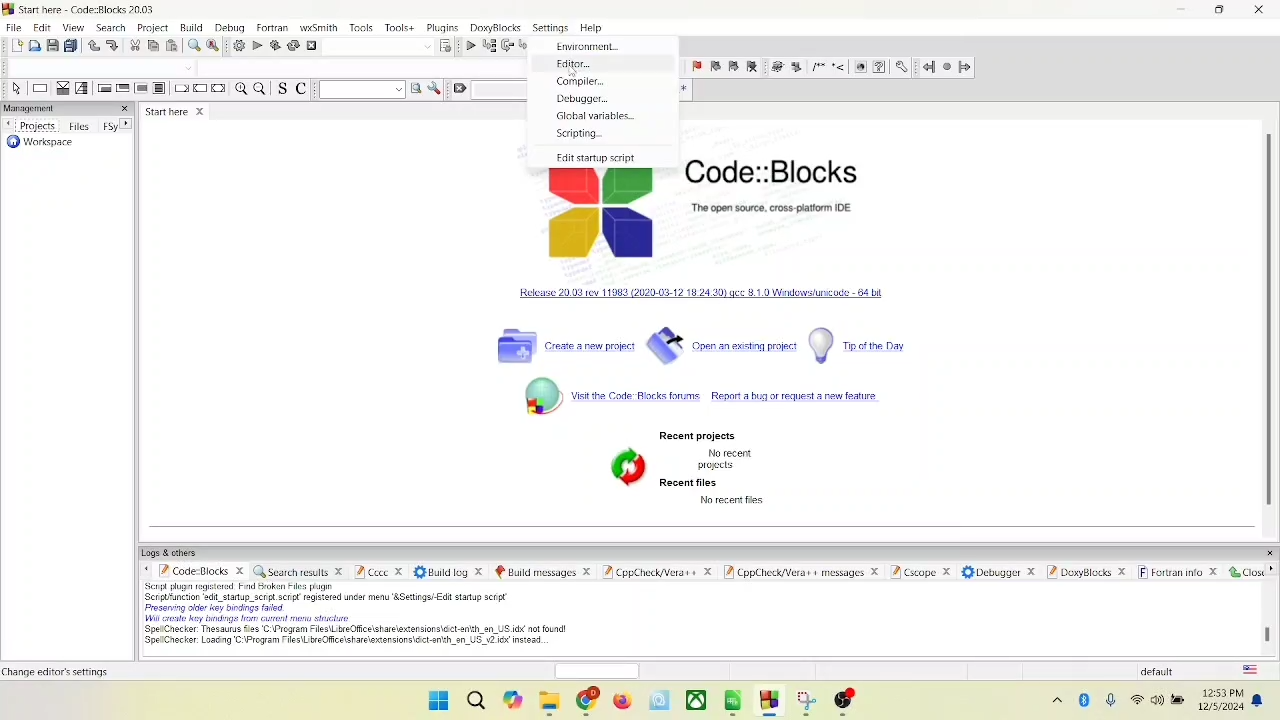 This screenshot has height=720, width=1280. Describe the element at coordinates (72, 27) in the screenshot. I see `view` at that location.